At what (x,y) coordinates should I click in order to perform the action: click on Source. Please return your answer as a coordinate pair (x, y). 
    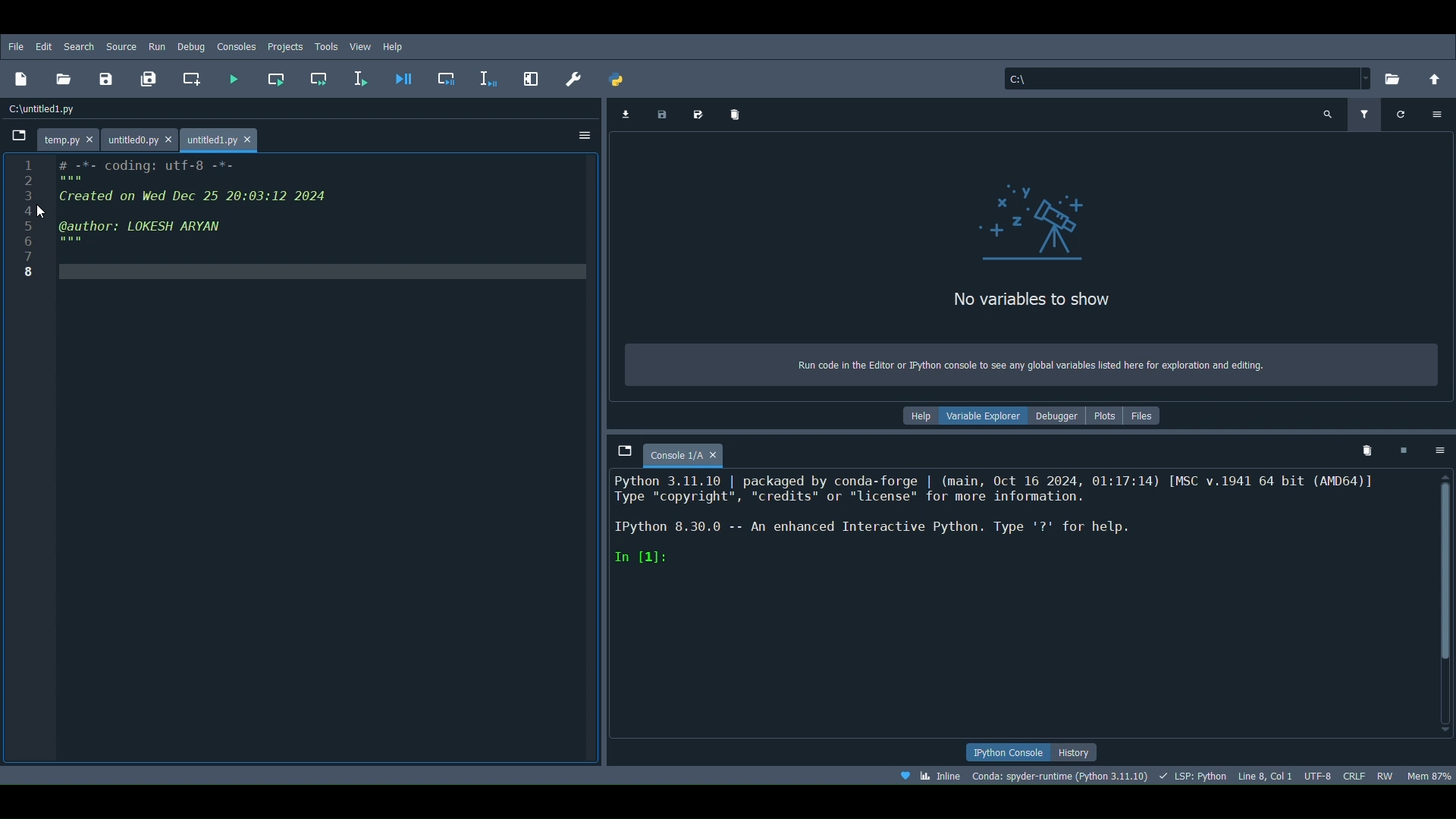
    Looking at the image, I should click on (122, 46).